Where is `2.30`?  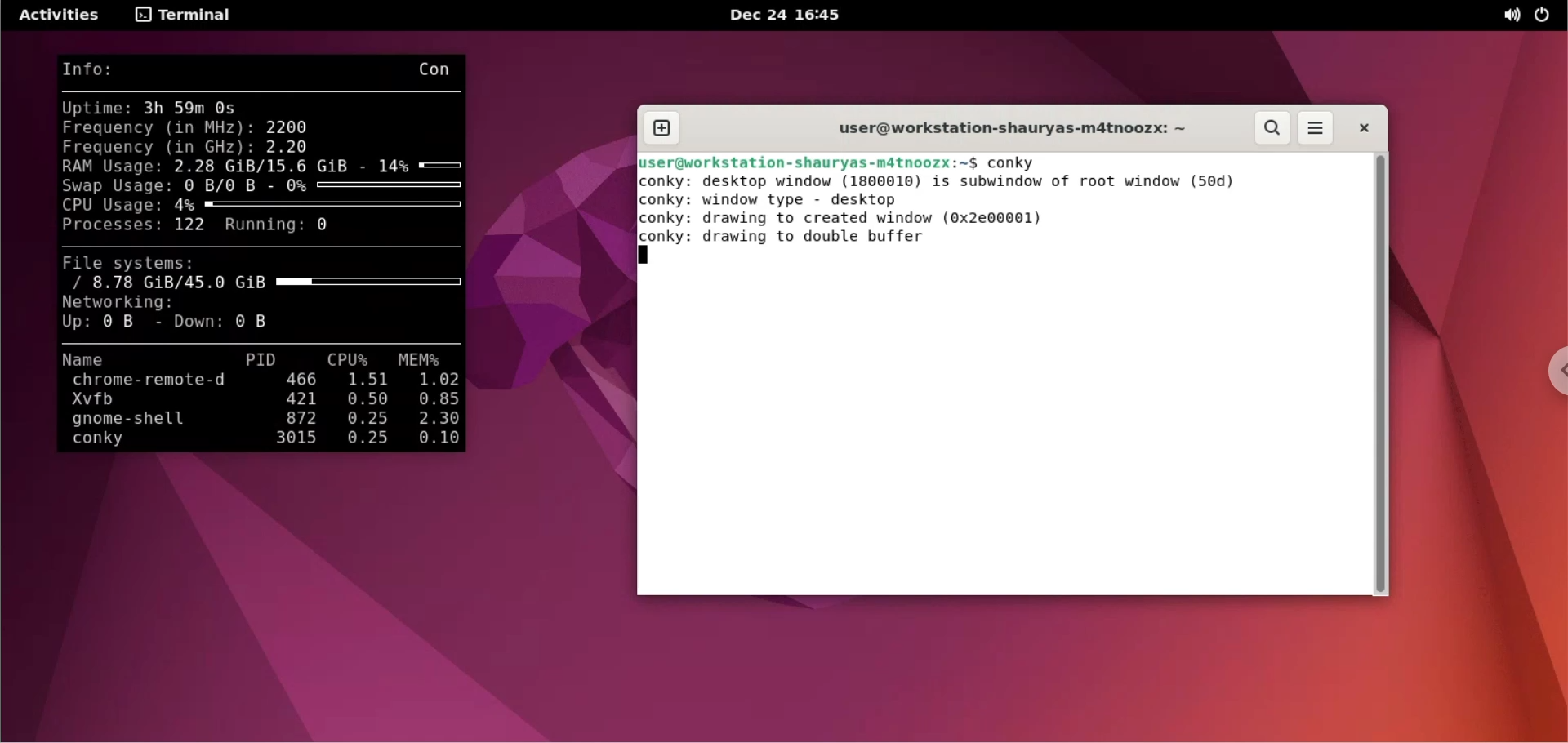 2.30 is located at coordinates (433, 420).